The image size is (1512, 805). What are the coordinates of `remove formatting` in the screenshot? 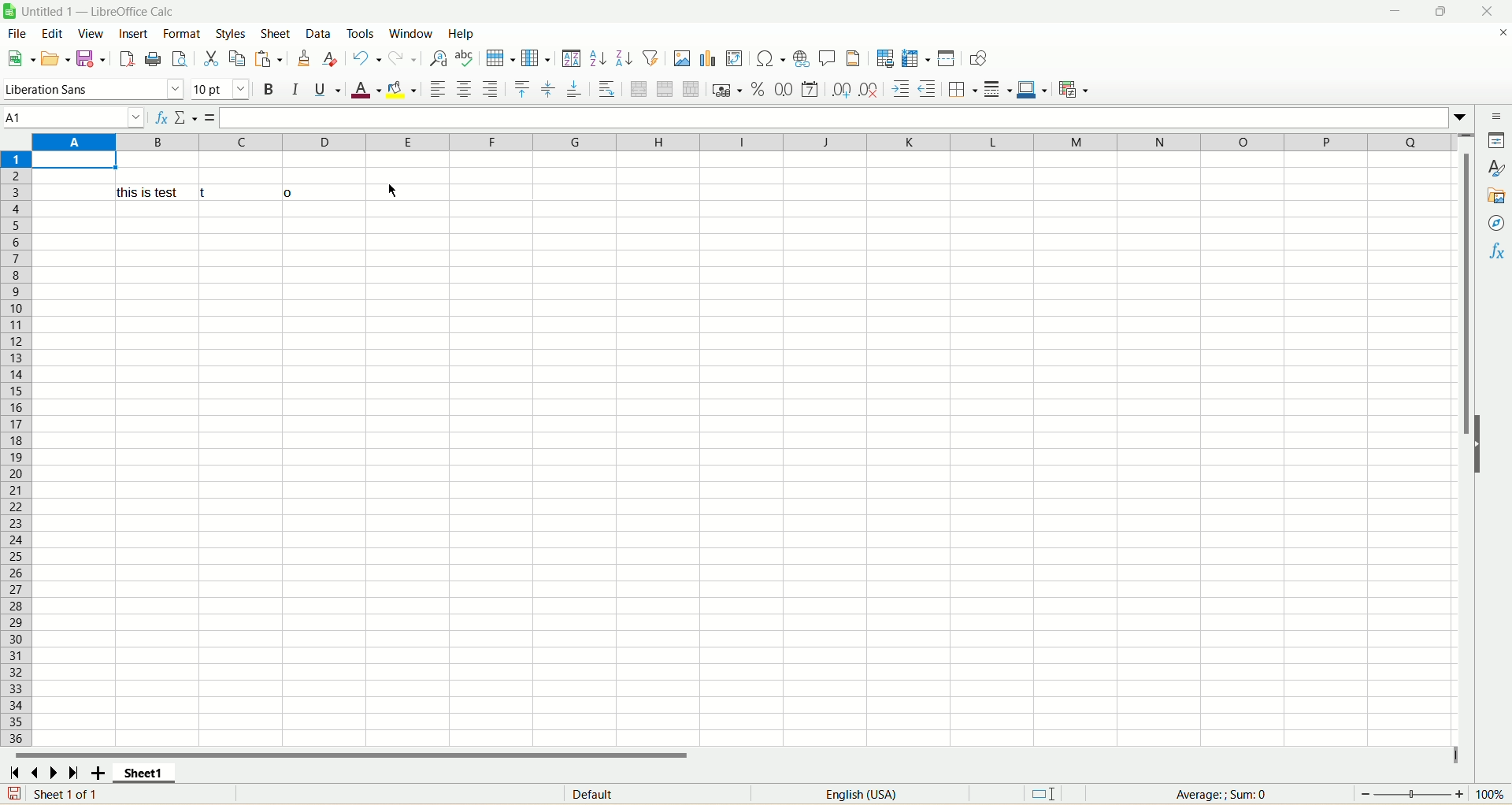 It's located at (330, 57).